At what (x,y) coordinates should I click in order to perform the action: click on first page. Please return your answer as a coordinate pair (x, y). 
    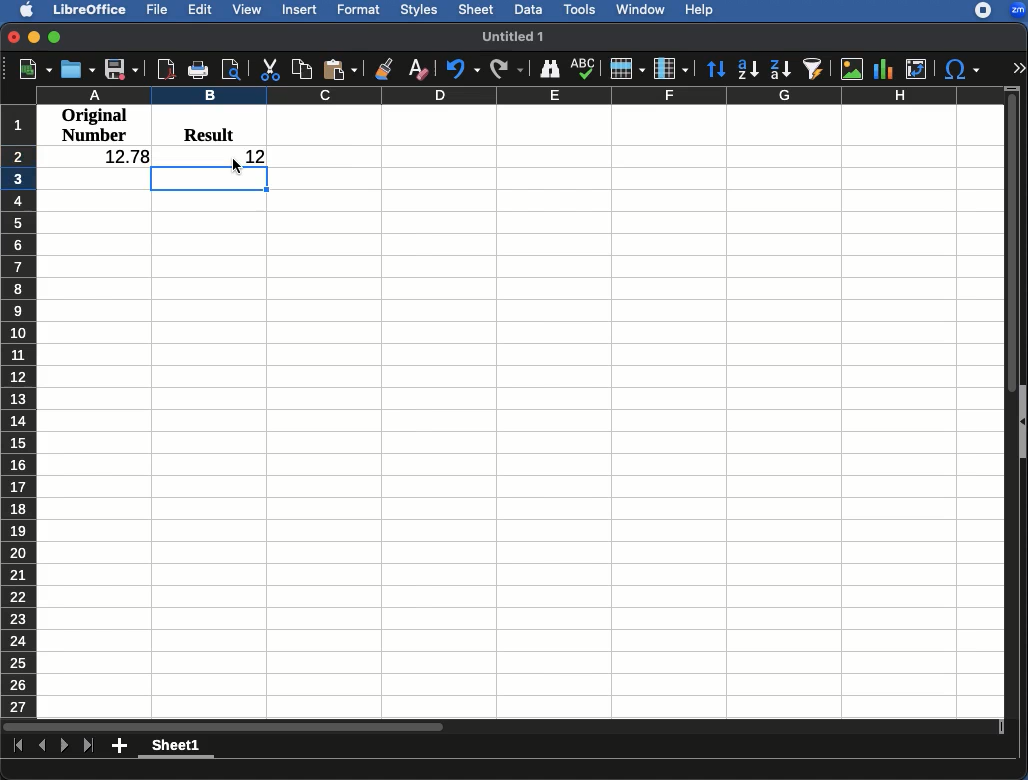
    Looking at the image, I should click on (19, 747).